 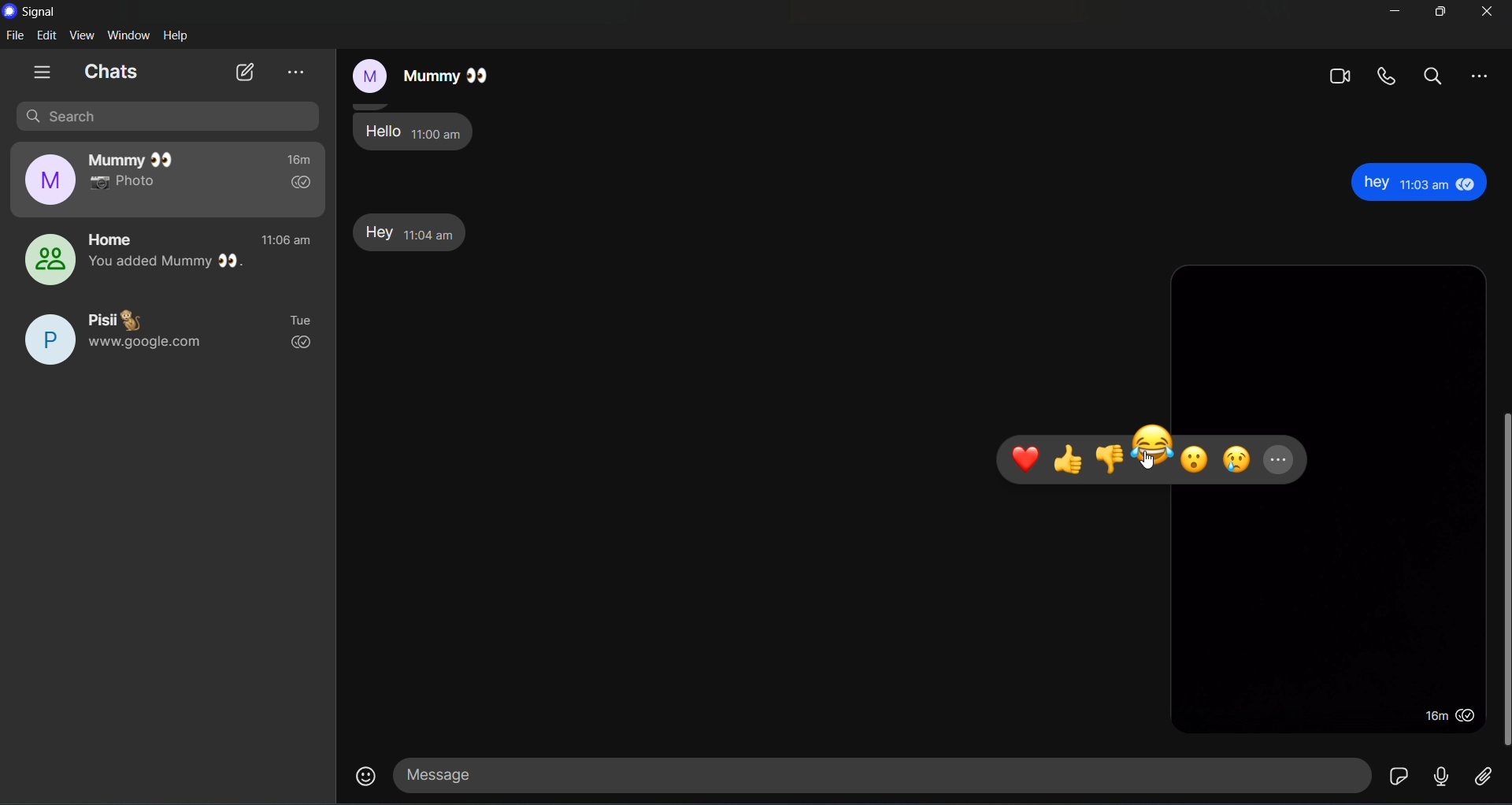 What do you see at coordinates (1440, 13) in the screenshot?
I see `maximize` at bounding box center [1440, 13].